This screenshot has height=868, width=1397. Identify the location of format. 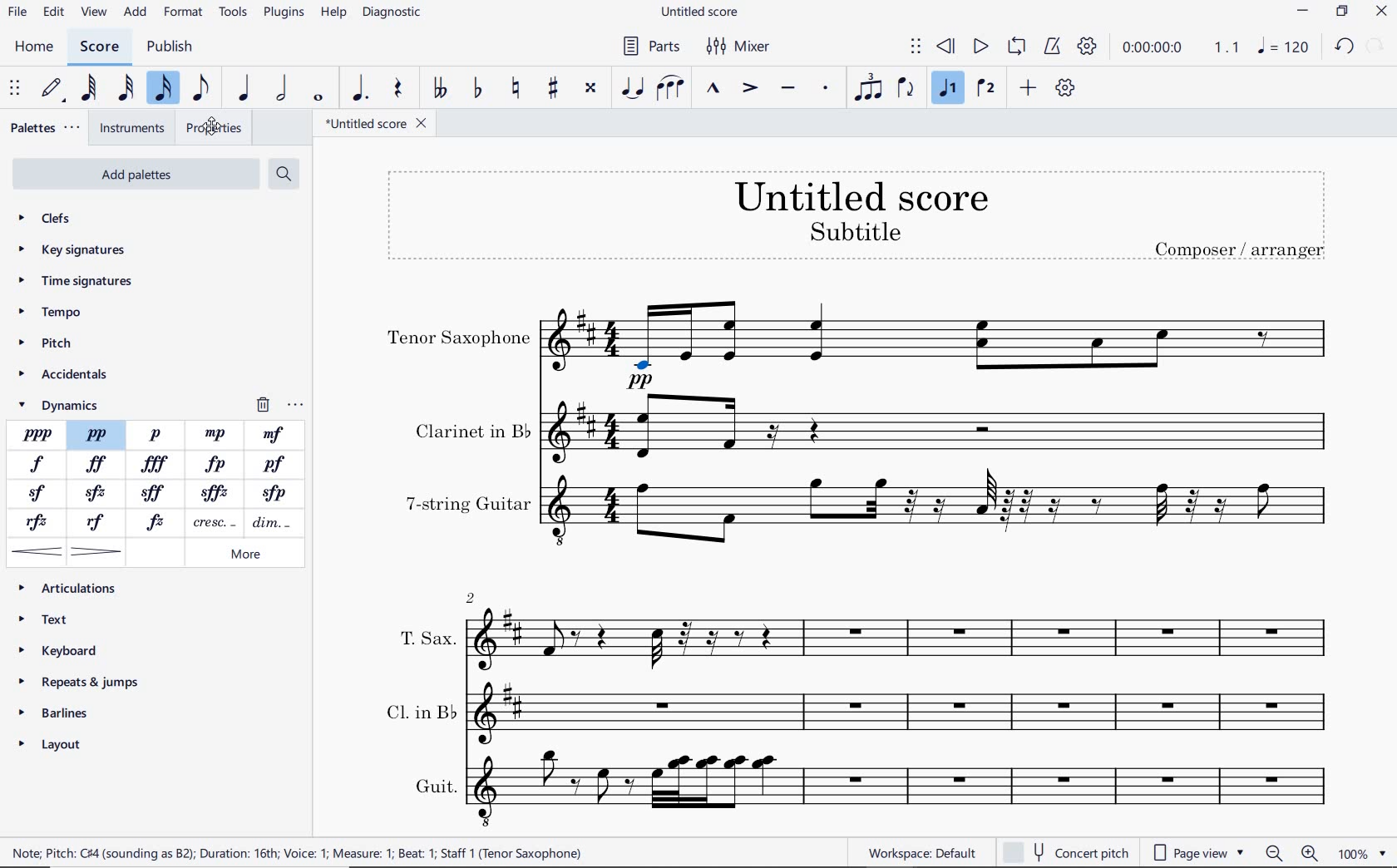
(185, 12).